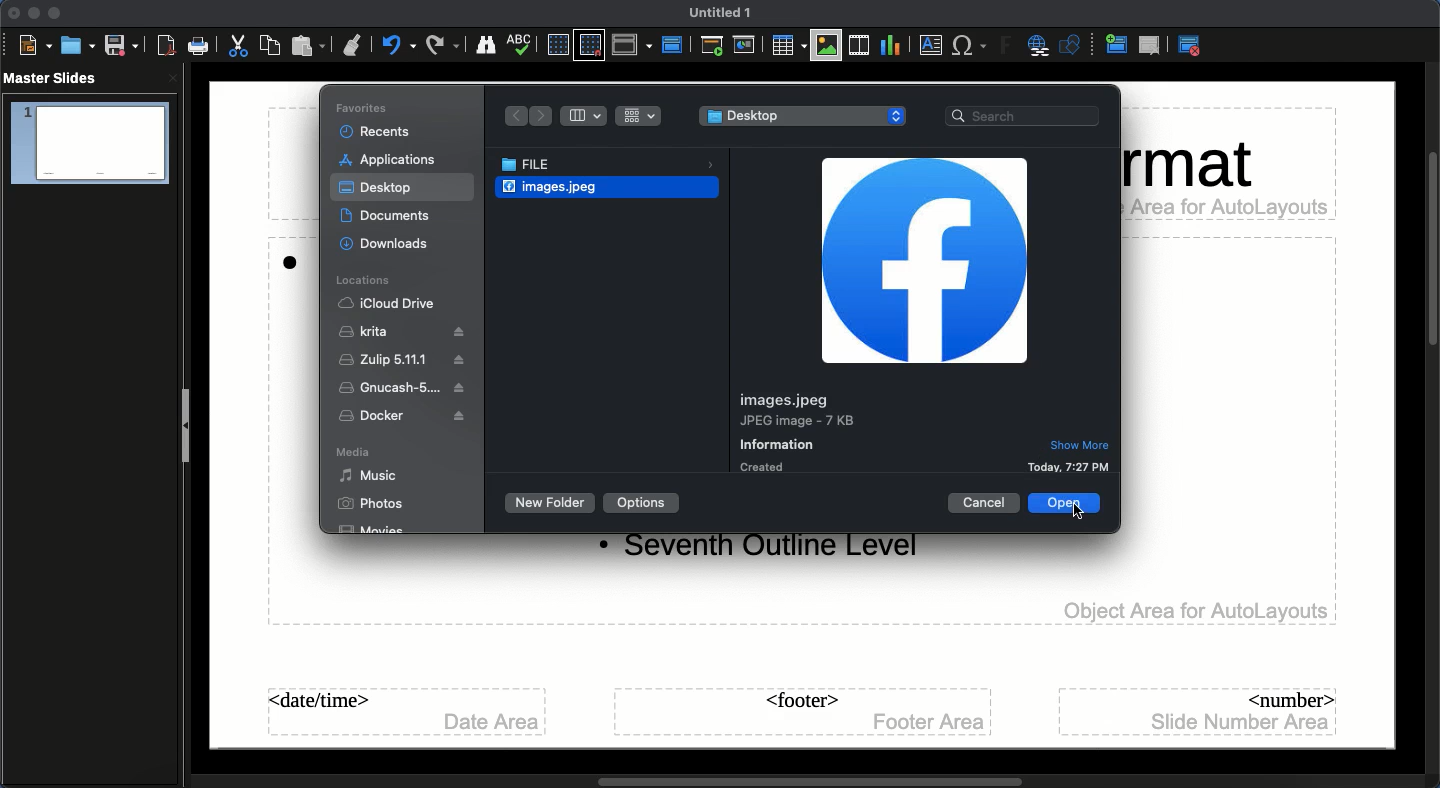 The image size is (1440, 788). Describe the element at coordinates (374, 530) in the screenshot. I see `Movie` at that location.